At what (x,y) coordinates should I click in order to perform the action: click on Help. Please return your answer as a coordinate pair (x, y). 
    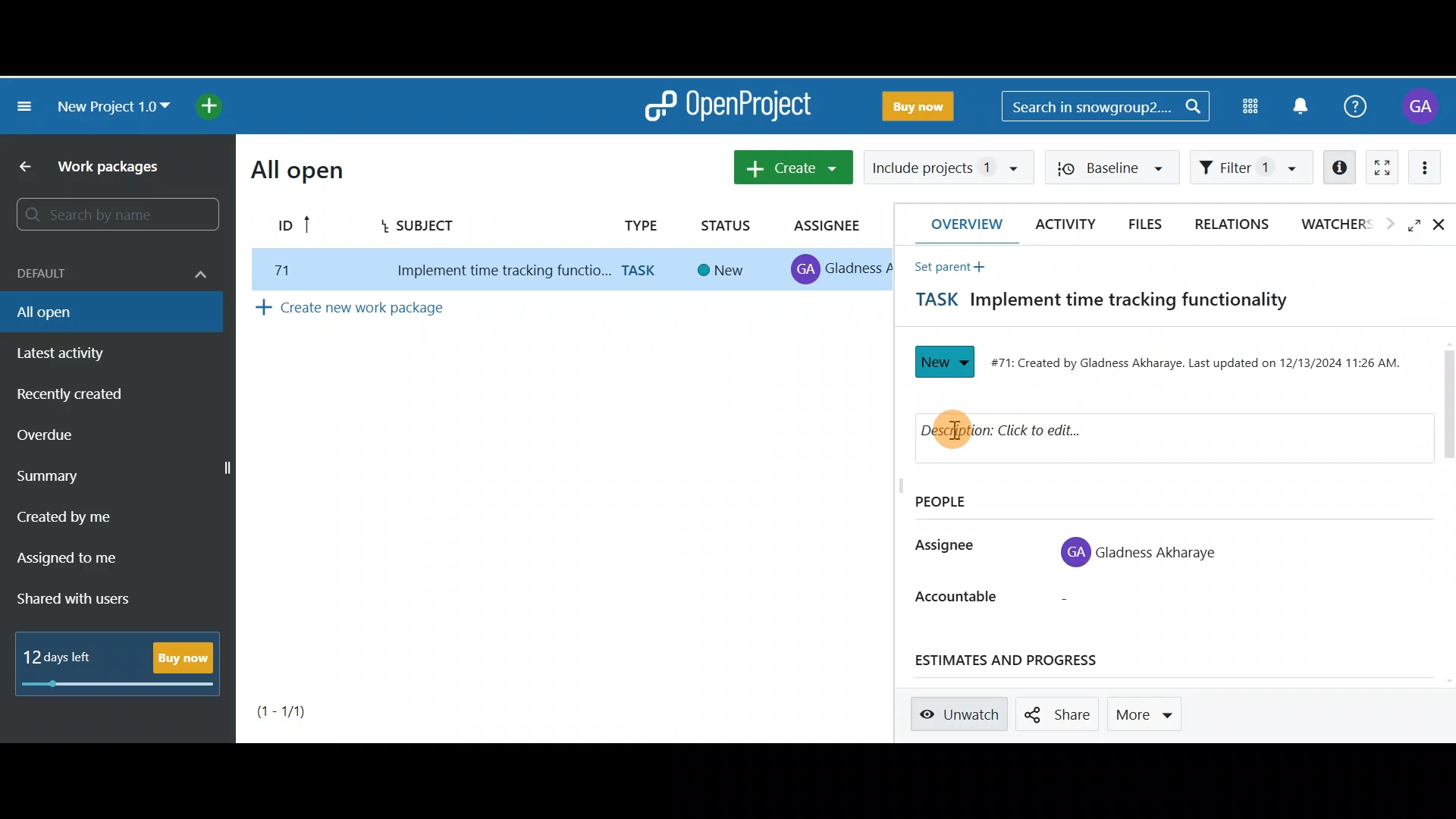
    Looking at the image, I should click on (1359, 111).